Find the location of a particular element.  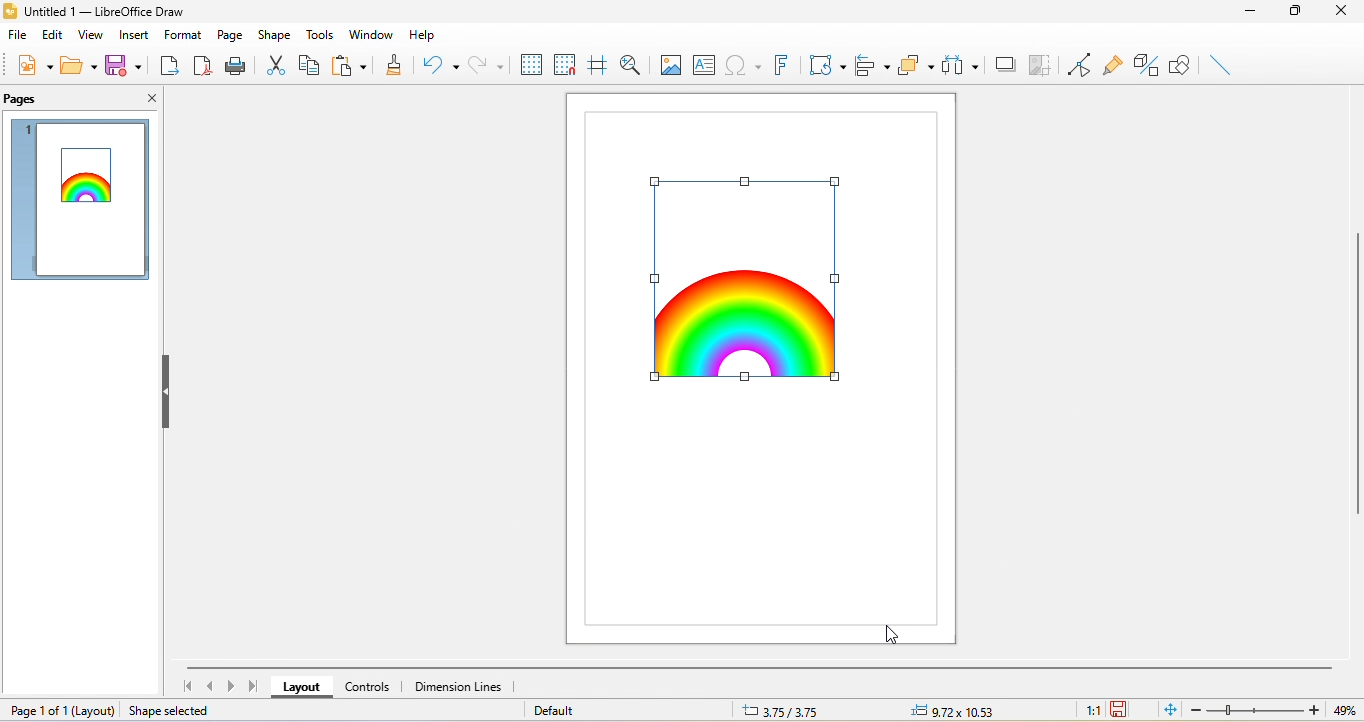

hide is located at coordinates (168, 395).